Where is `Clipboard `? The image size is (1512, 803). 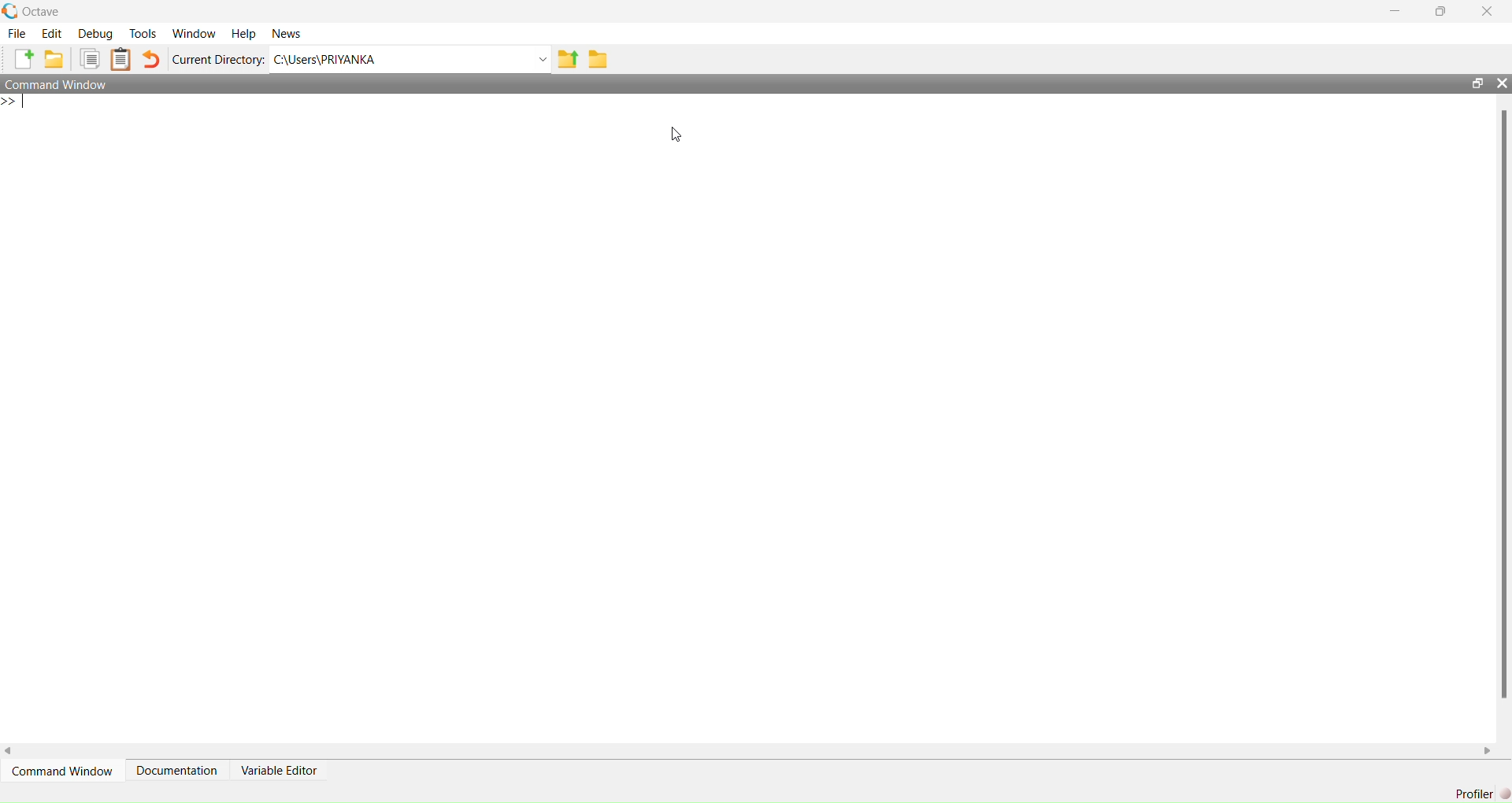
Clipboard  is located at coordinates (122, 58).